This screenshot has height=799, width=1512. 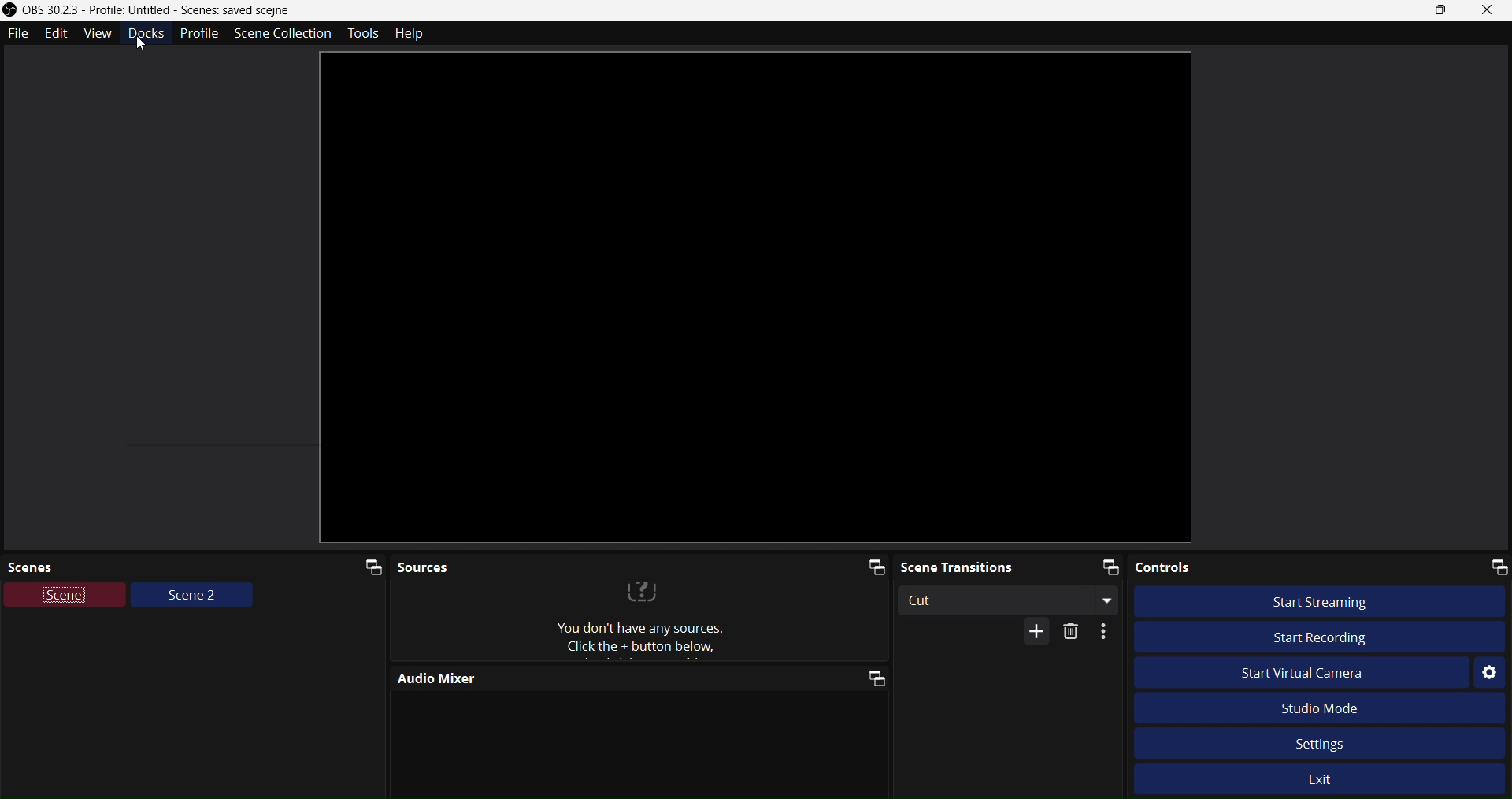 I want to click on More, so click(x=1108, y=633).